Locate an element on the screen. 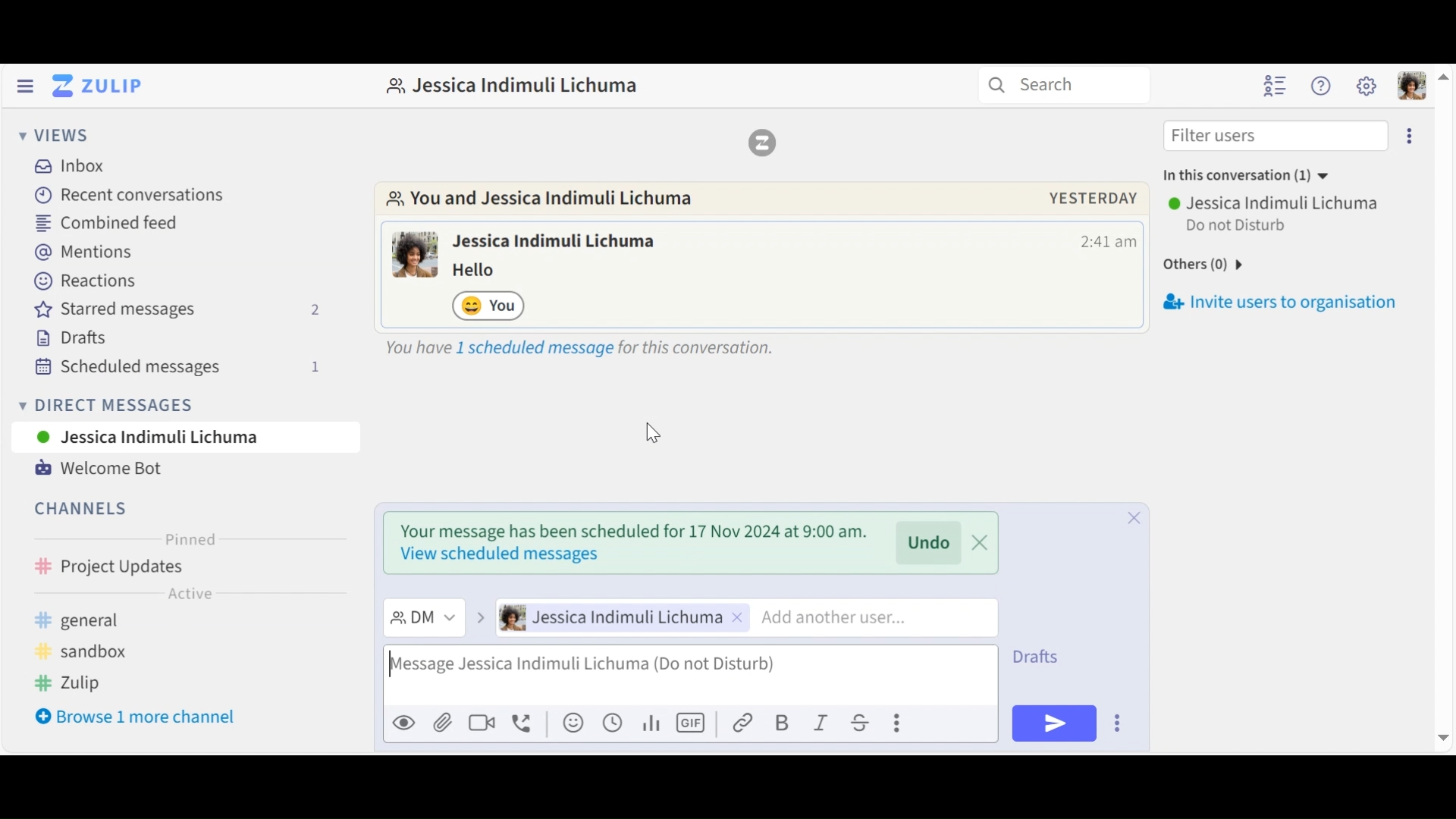 The image size is (1456, 819). Status is located at coordinates (1239, 227).